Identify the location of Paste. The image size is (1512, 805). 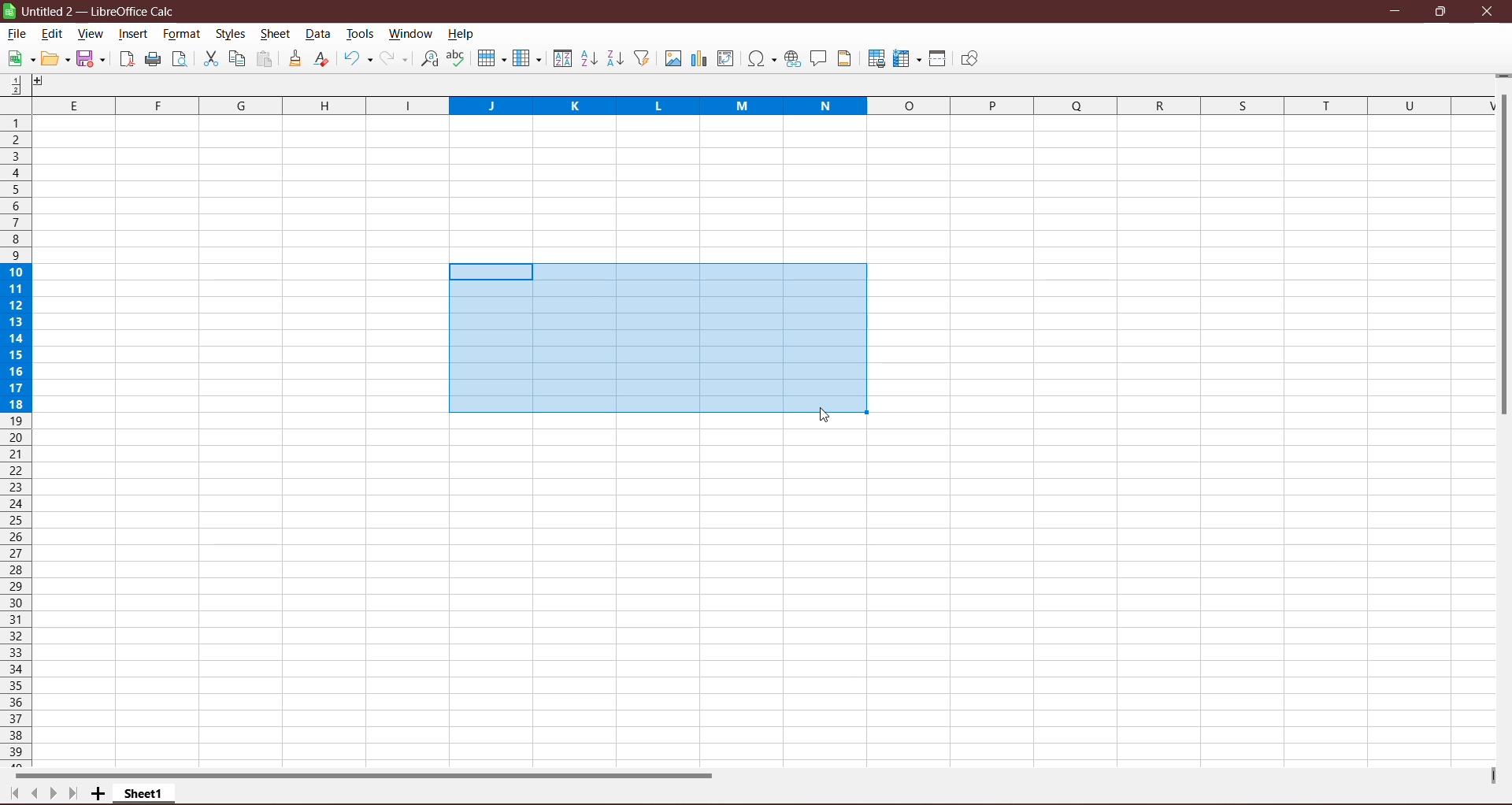
(265, 60).